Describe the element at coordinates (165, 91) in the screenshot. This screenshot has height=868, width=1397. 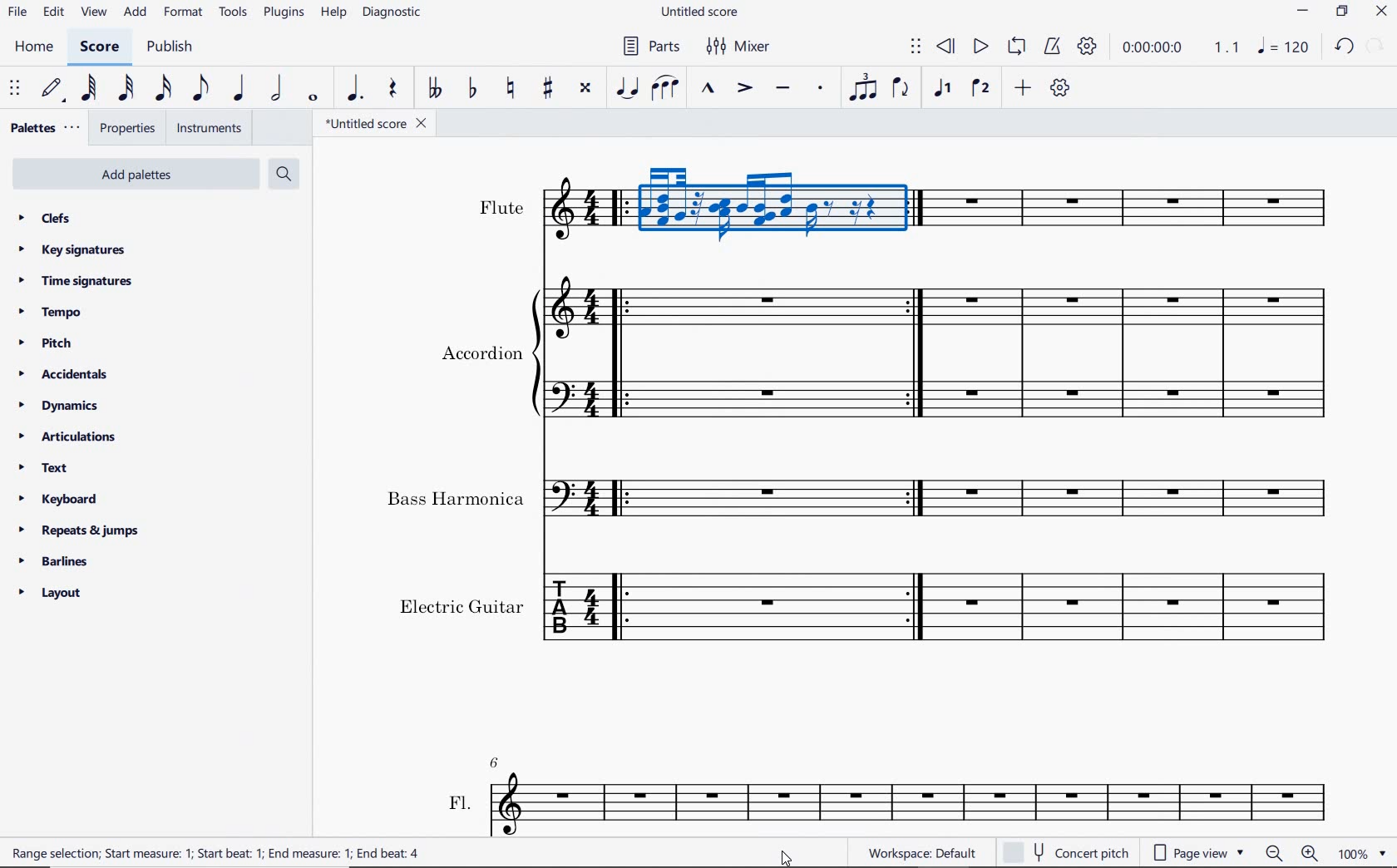
I see `16th note` at that location.